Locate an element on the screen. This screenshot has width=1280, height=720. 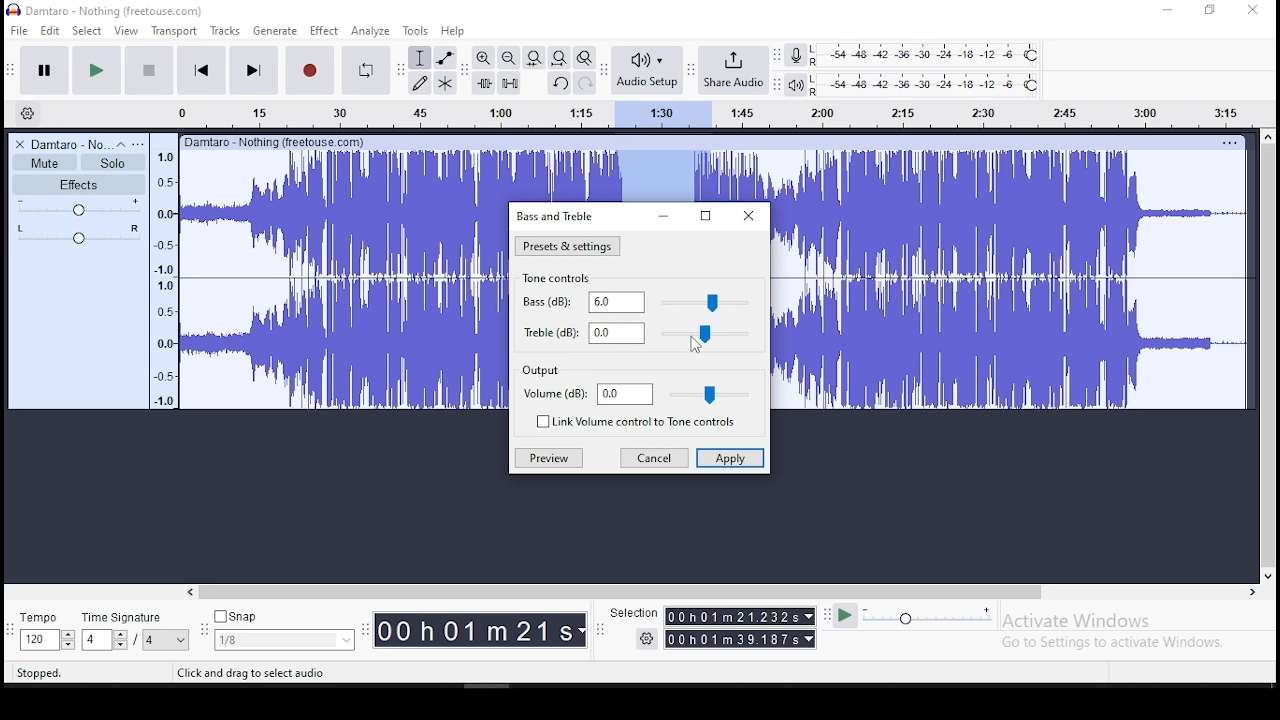
Selection is located at coordinates (632, 613).